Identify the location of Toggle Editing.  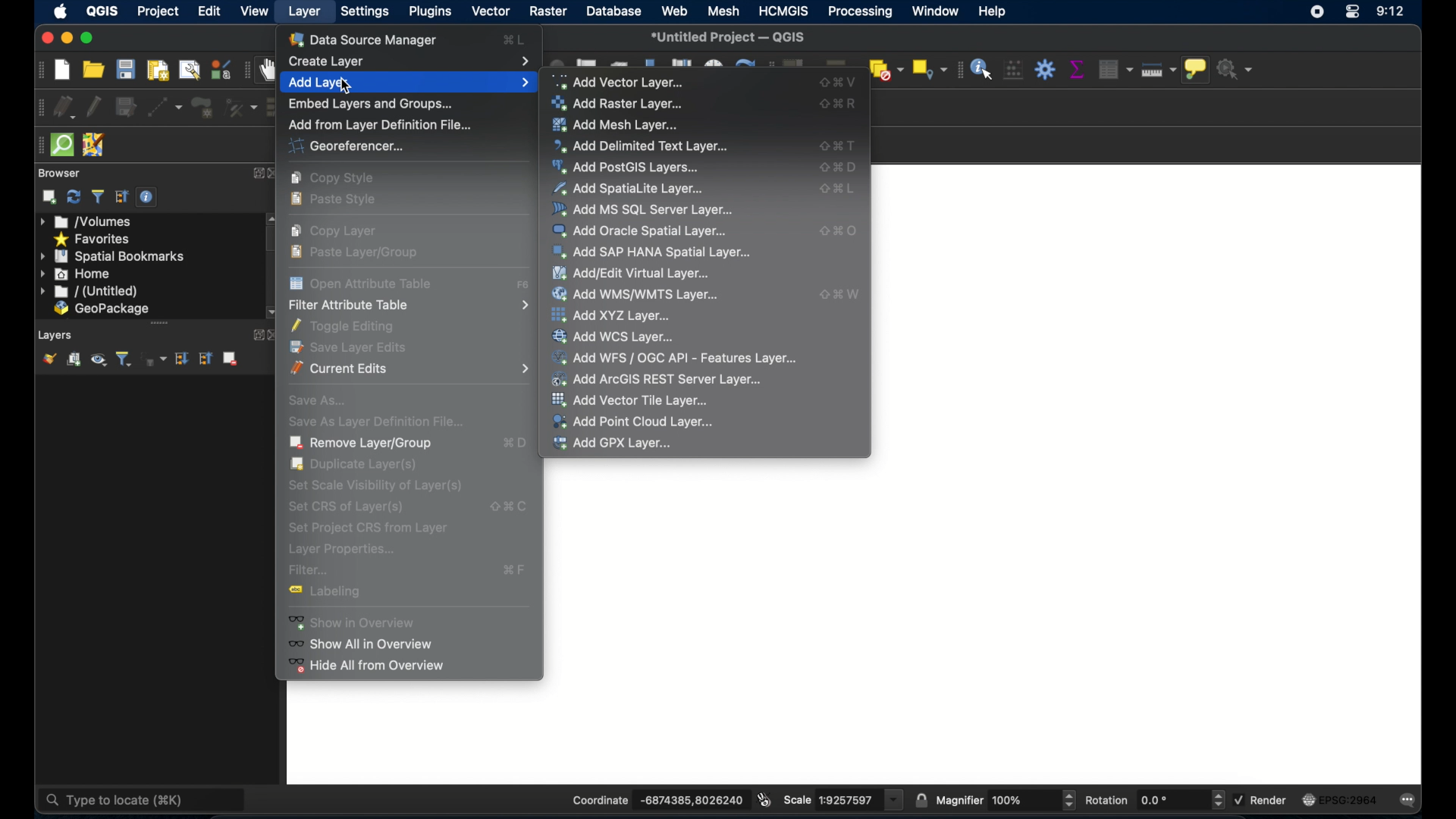
(354, 327).